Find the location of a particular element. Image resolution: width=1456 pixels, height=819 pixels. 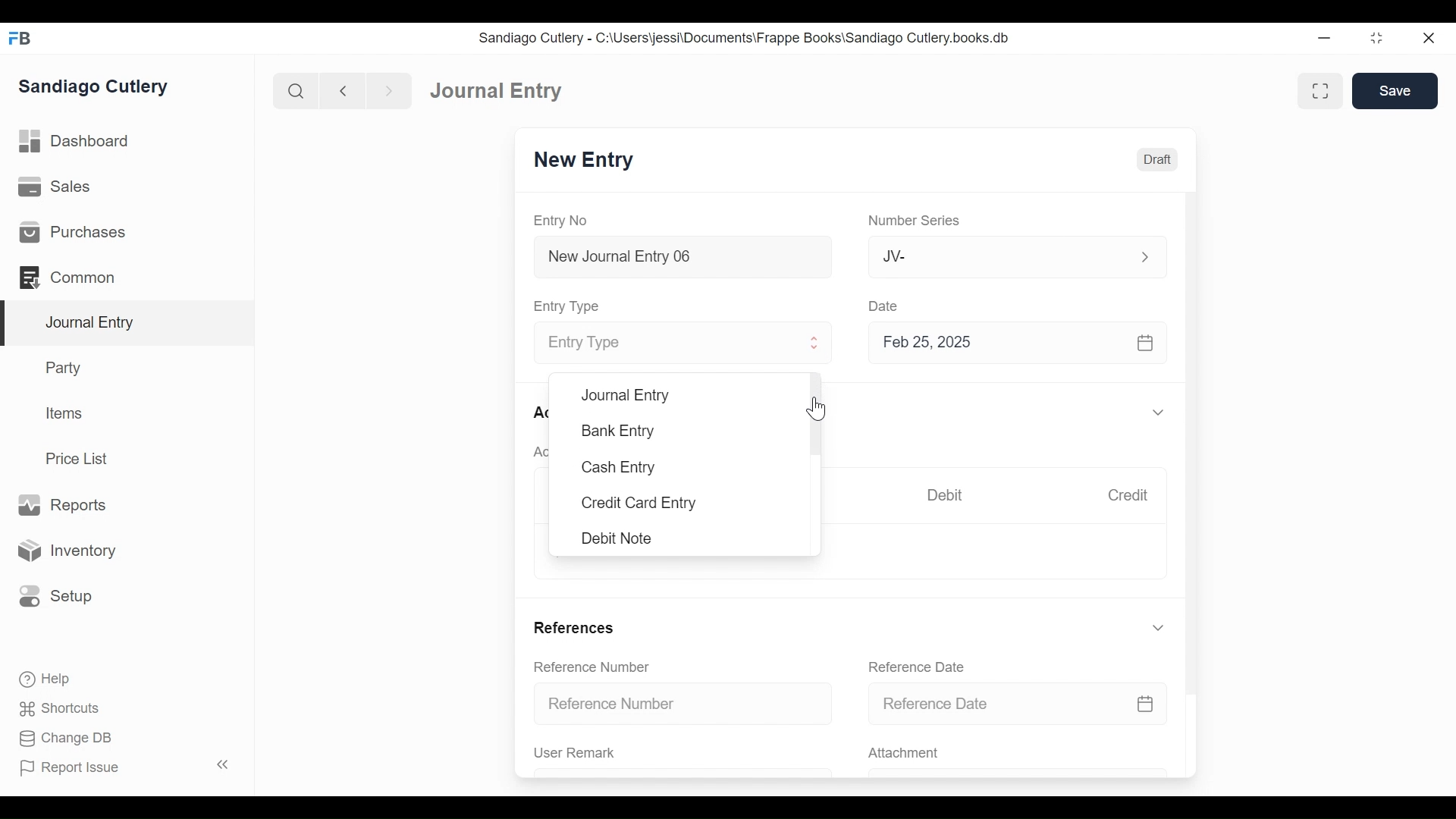

Expand is located at coordinates (815, 343).